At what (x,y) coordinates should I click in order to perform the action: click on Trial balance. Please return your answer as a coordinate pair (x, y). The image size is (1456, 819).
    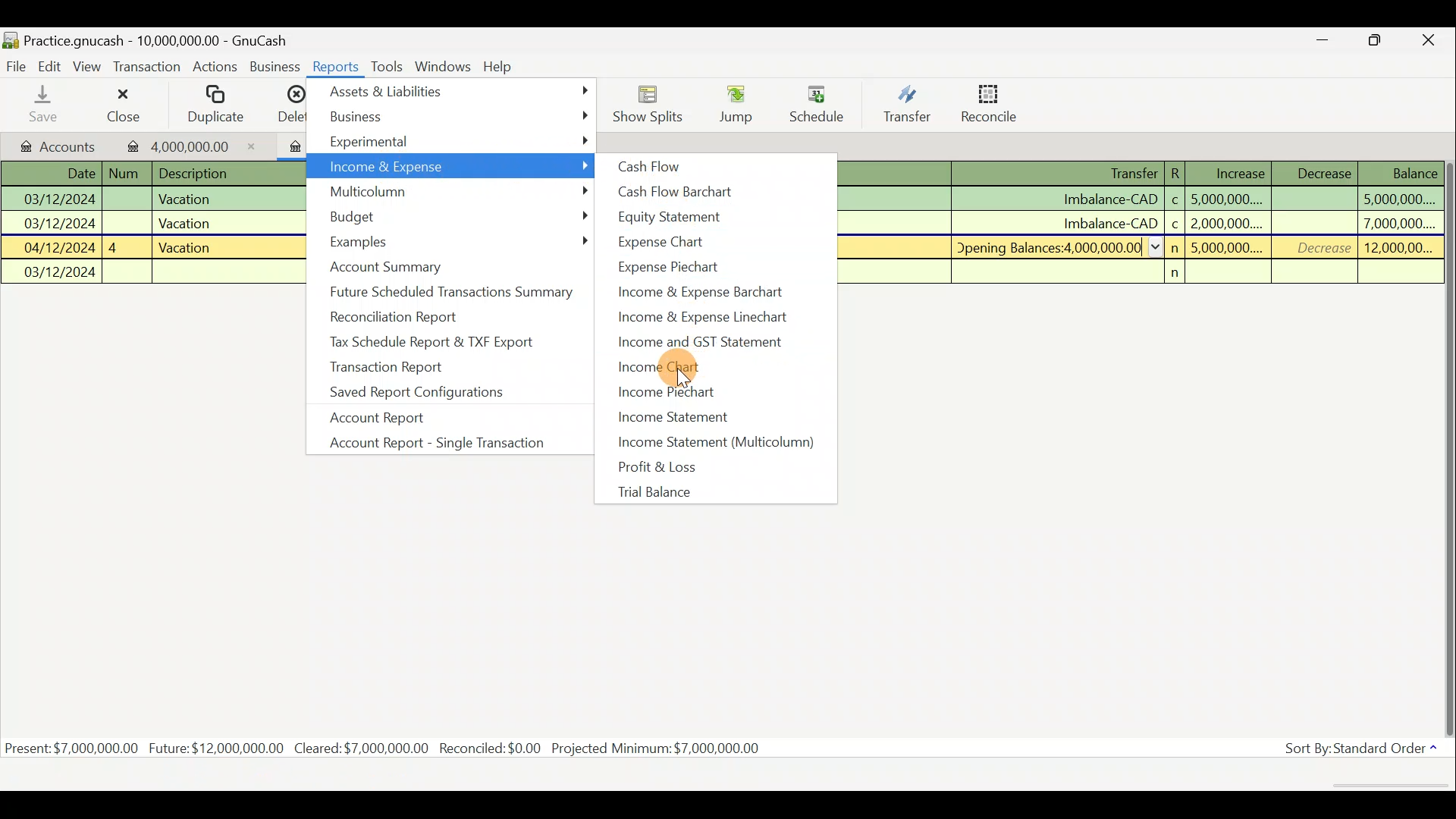
    Looking at the image, I should click on (695, 491).